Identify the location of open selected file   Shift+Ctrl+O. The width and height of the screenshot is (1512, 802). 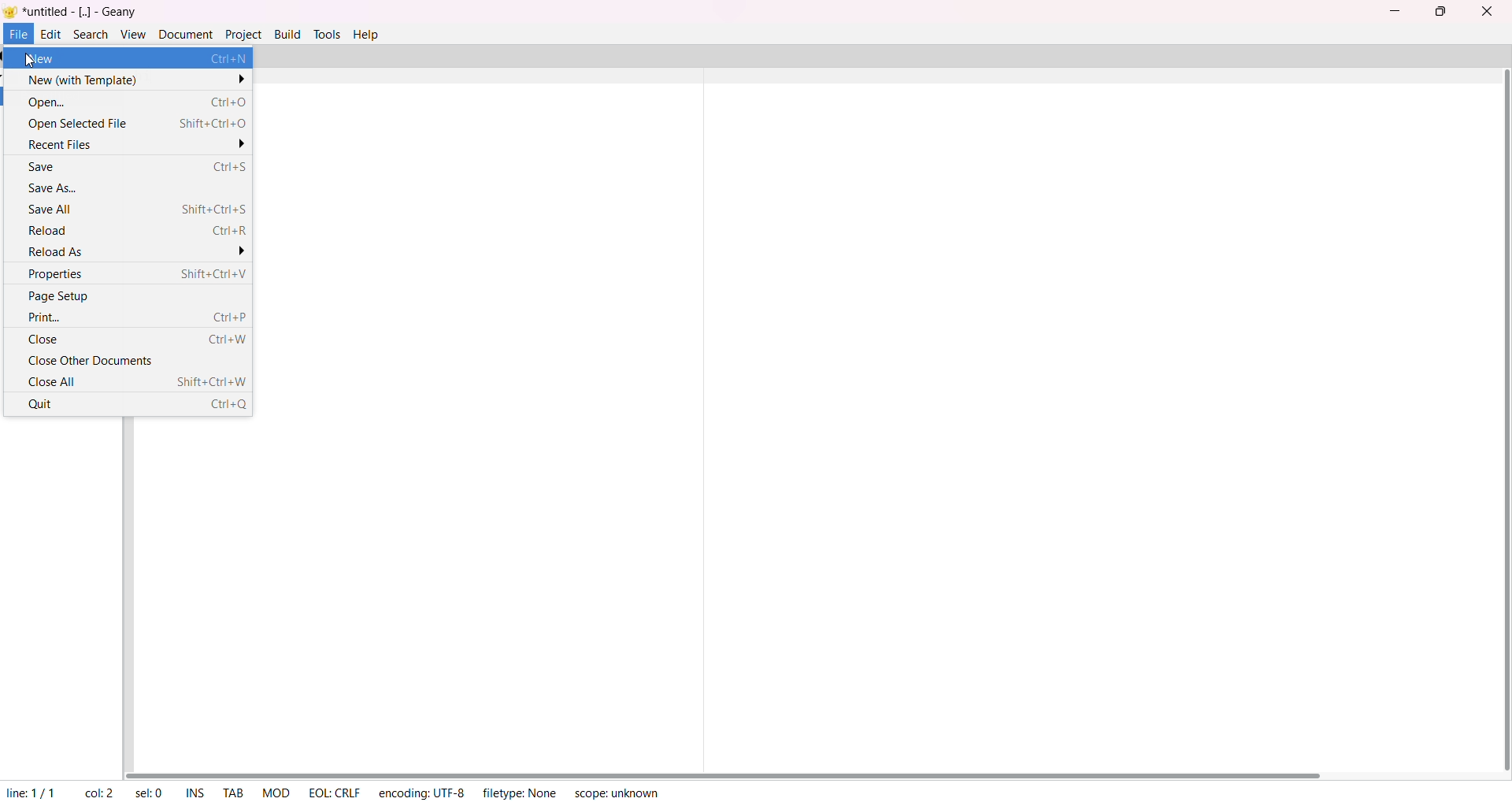
(136, 125).